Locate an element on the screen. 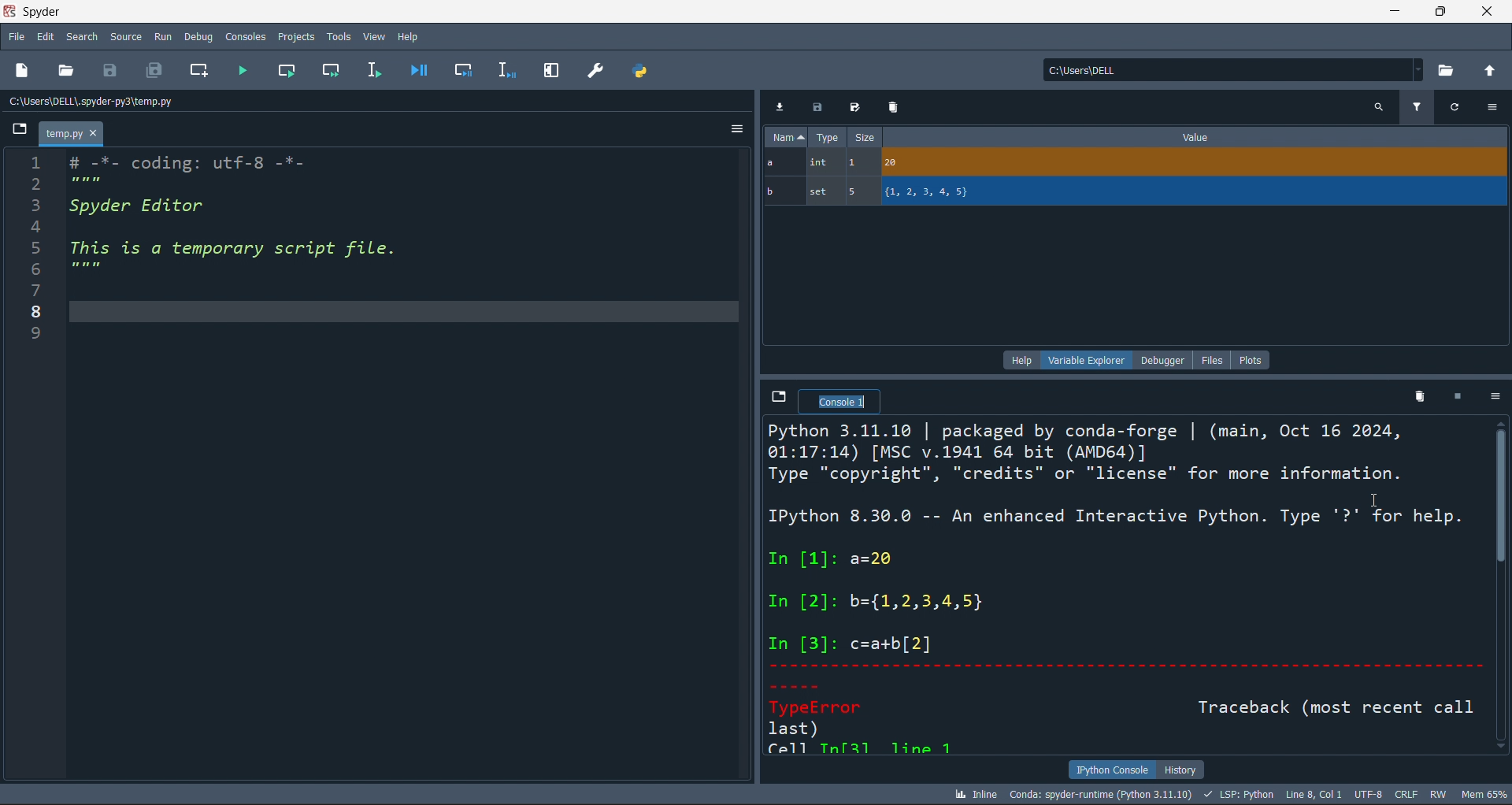 This screenshot has height=805, width=1512. save is located at coordinates (115, 70).